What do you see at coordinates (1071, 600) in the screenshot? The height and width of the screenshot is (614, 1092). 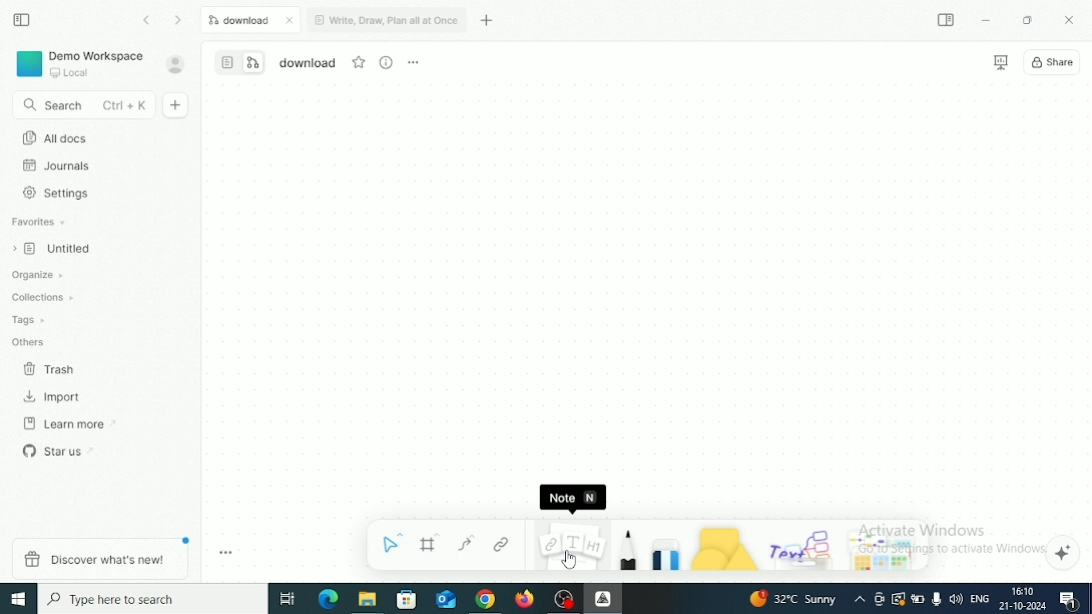 I see `Notifications` at bounding box center [1071, 600].